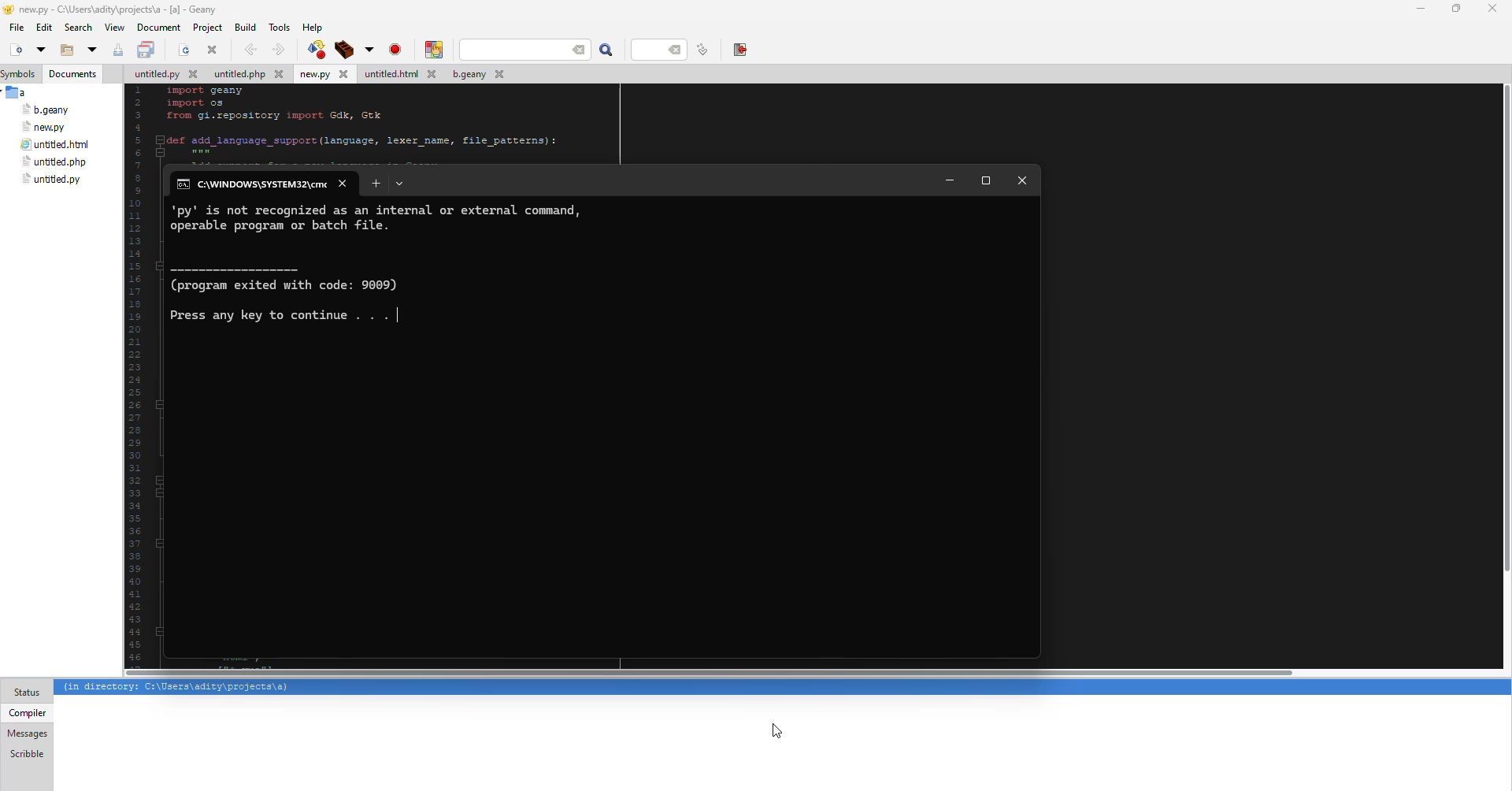  What do you see at coordinates (1454, 8) in the screenshot?
I see `maximize` at bounding box center [1454, 8].